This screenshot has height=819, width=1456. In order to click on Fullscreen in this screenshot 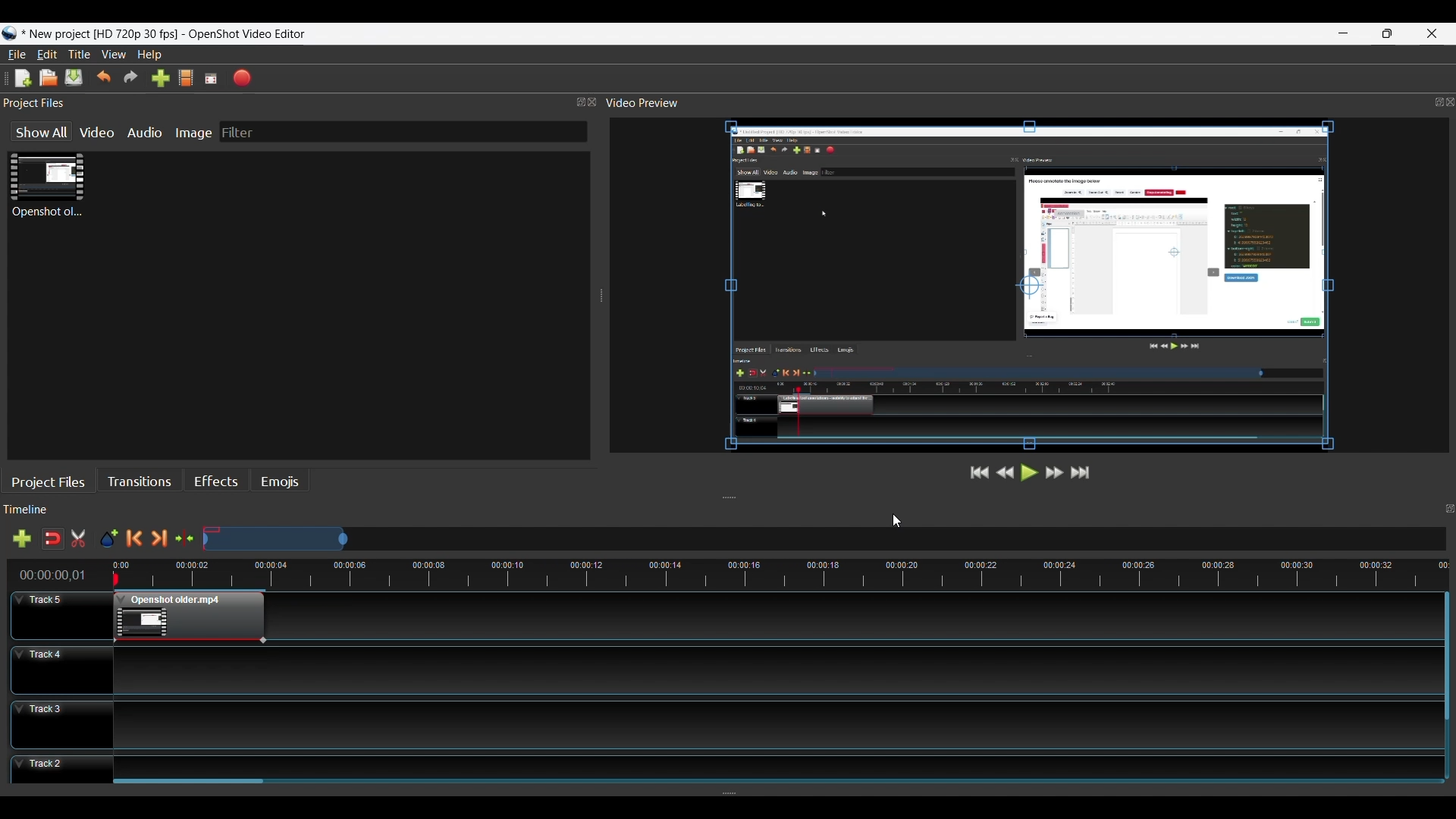, I will do `click(212, 78)`.